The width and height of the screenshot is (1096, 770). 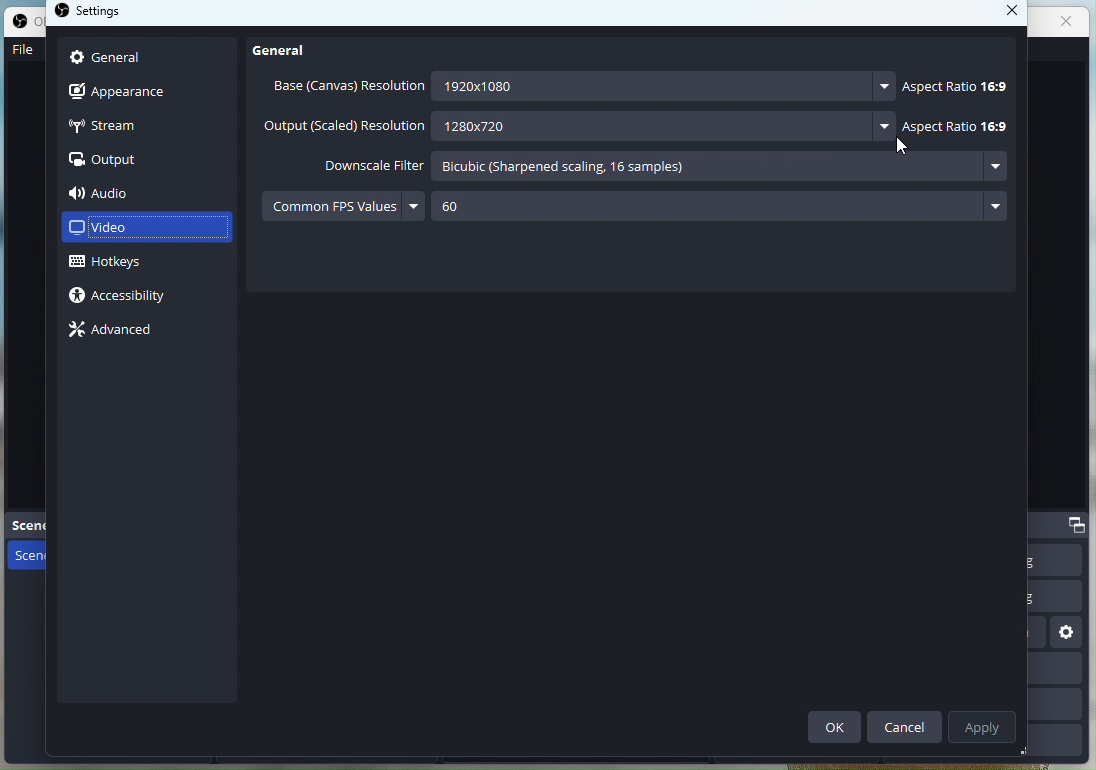 I want to click on Output (scaled) resolution, so click(x=345, y=126).